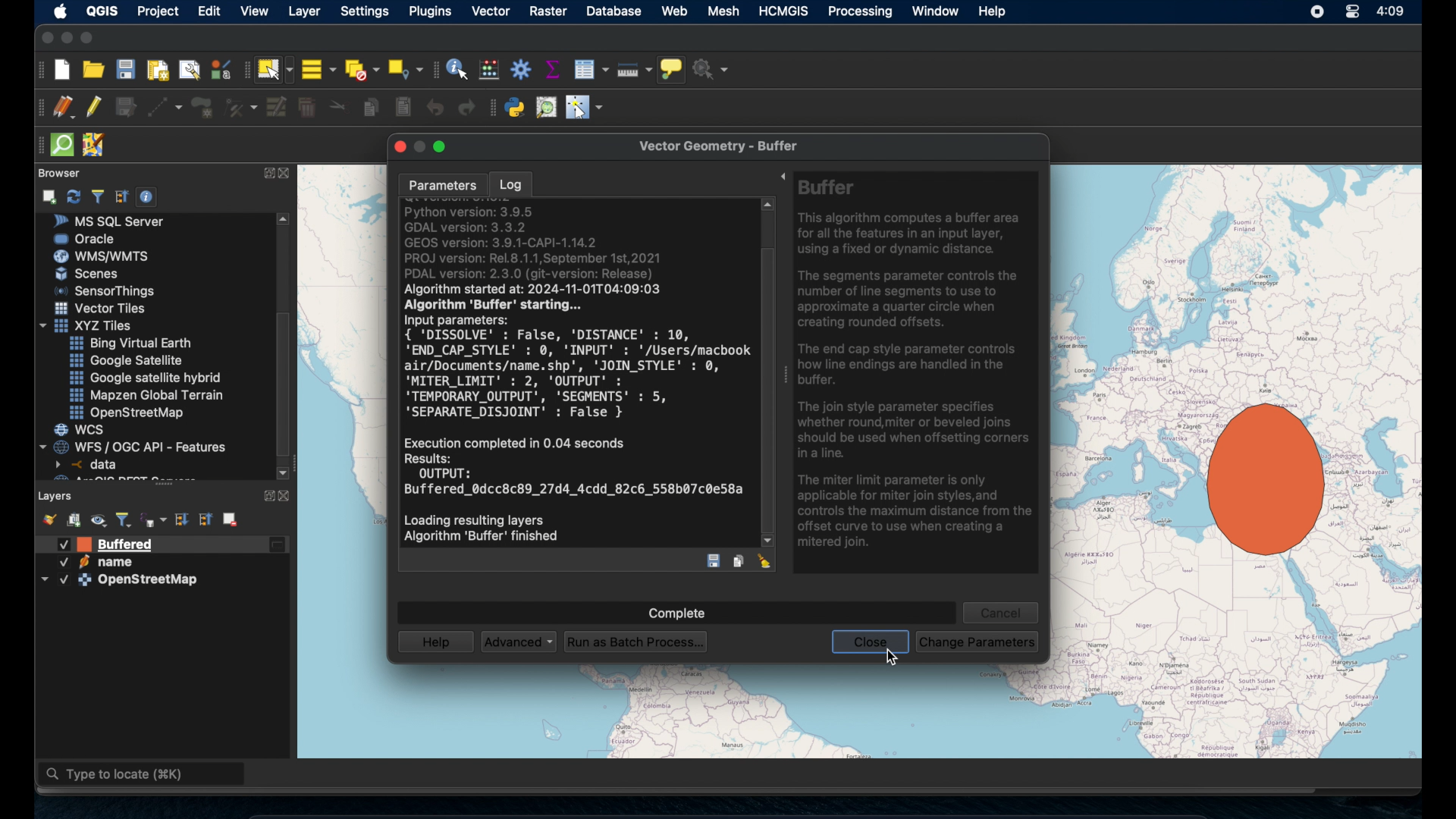 The width and height of the screenshot is (1456, 819). I want to click on collapse all, so click(121, 195).